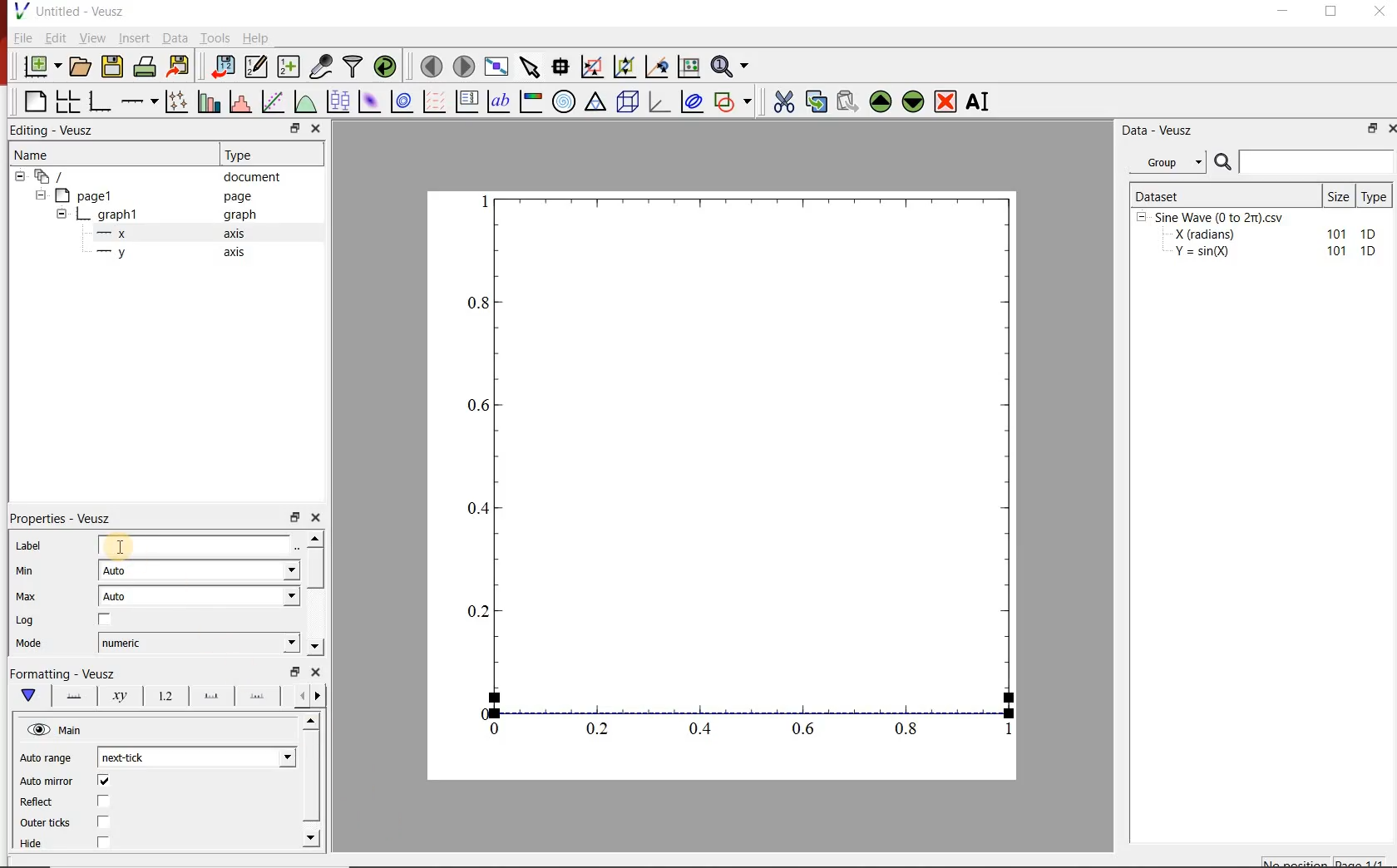 This screenshot has height=868, width=1397. Describe the element at coordinates (1325, 861) in the screenshot. I see `no positions` at that location.